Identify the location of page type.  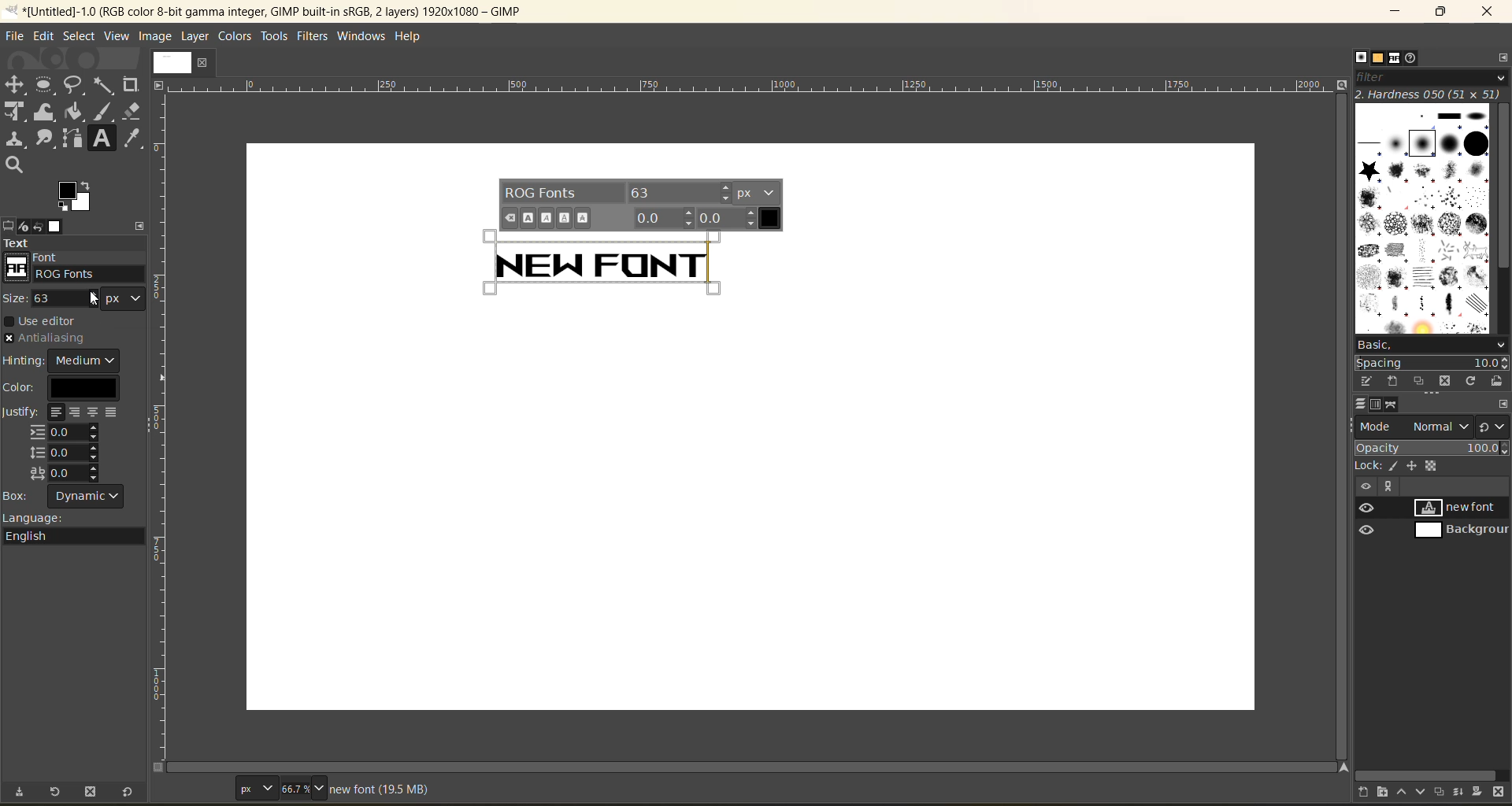
(254, 786).